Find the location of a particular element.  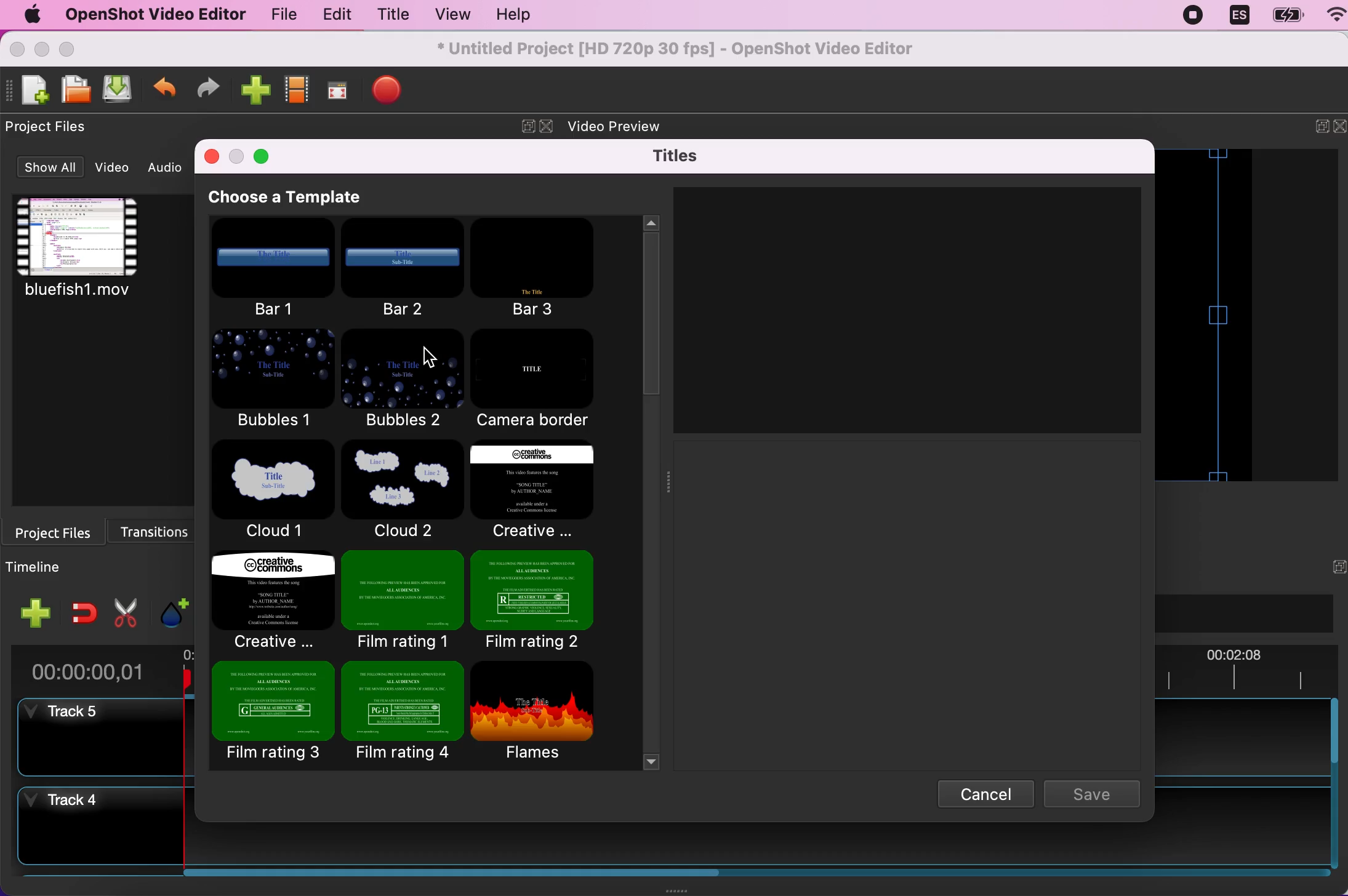

title is located at coordinates (390, 17).